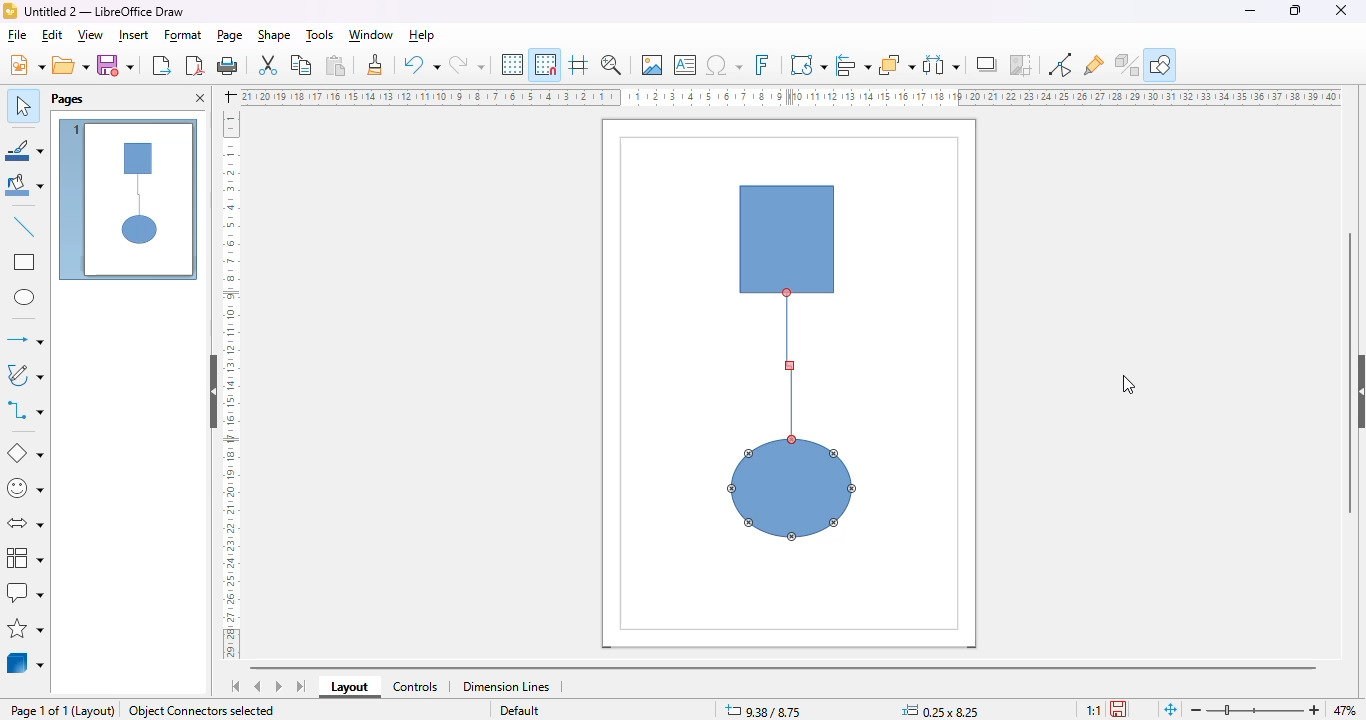 Image resolution: width=1366 pixels, height=720 pixels. Describe the element at coordinates (512, 64) in the screenshot. I see `display grid` at that location.